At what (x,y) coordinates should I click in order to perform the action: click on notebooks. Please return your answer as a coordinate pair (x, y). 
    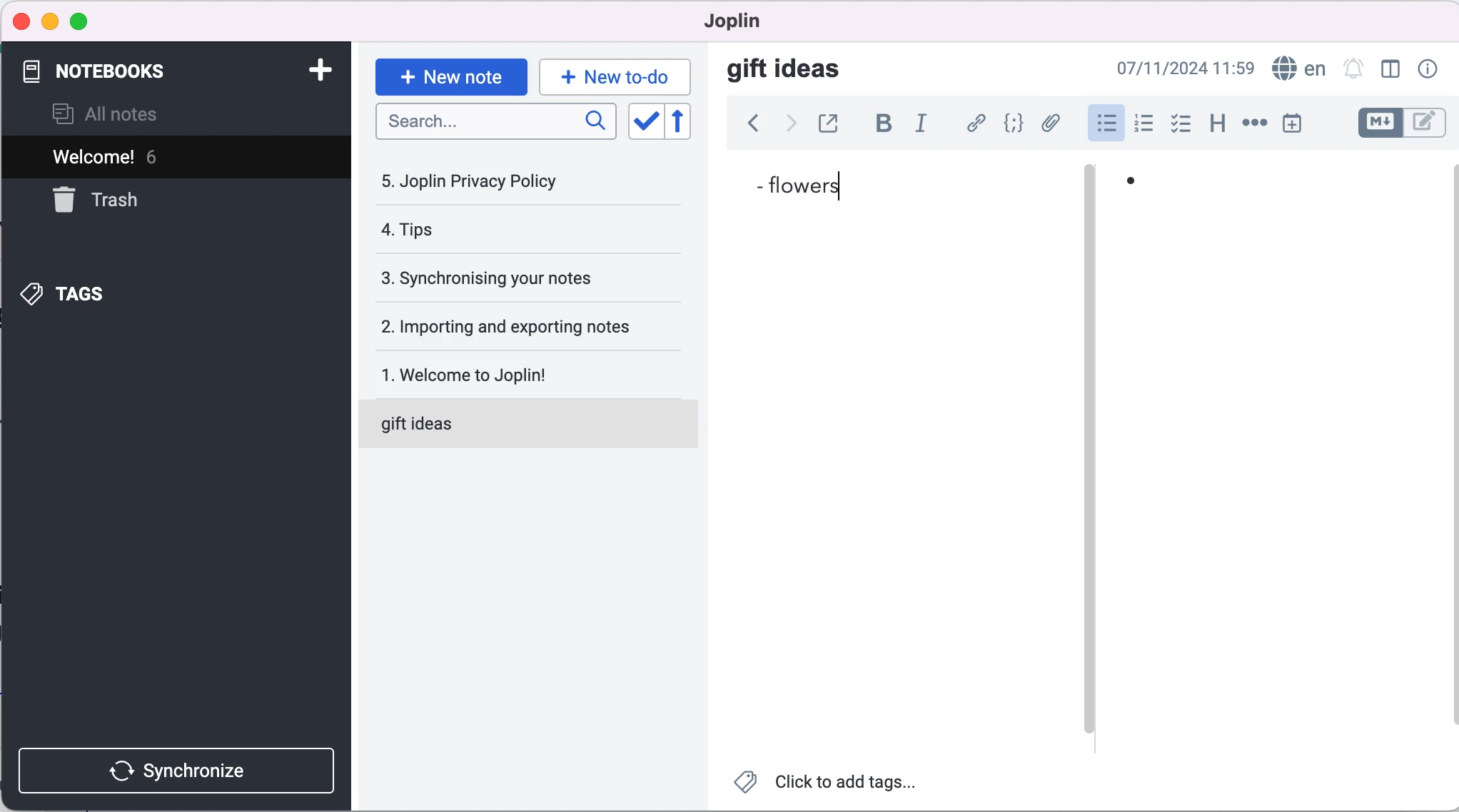
    Looking at the image, I should click on (108, 68).